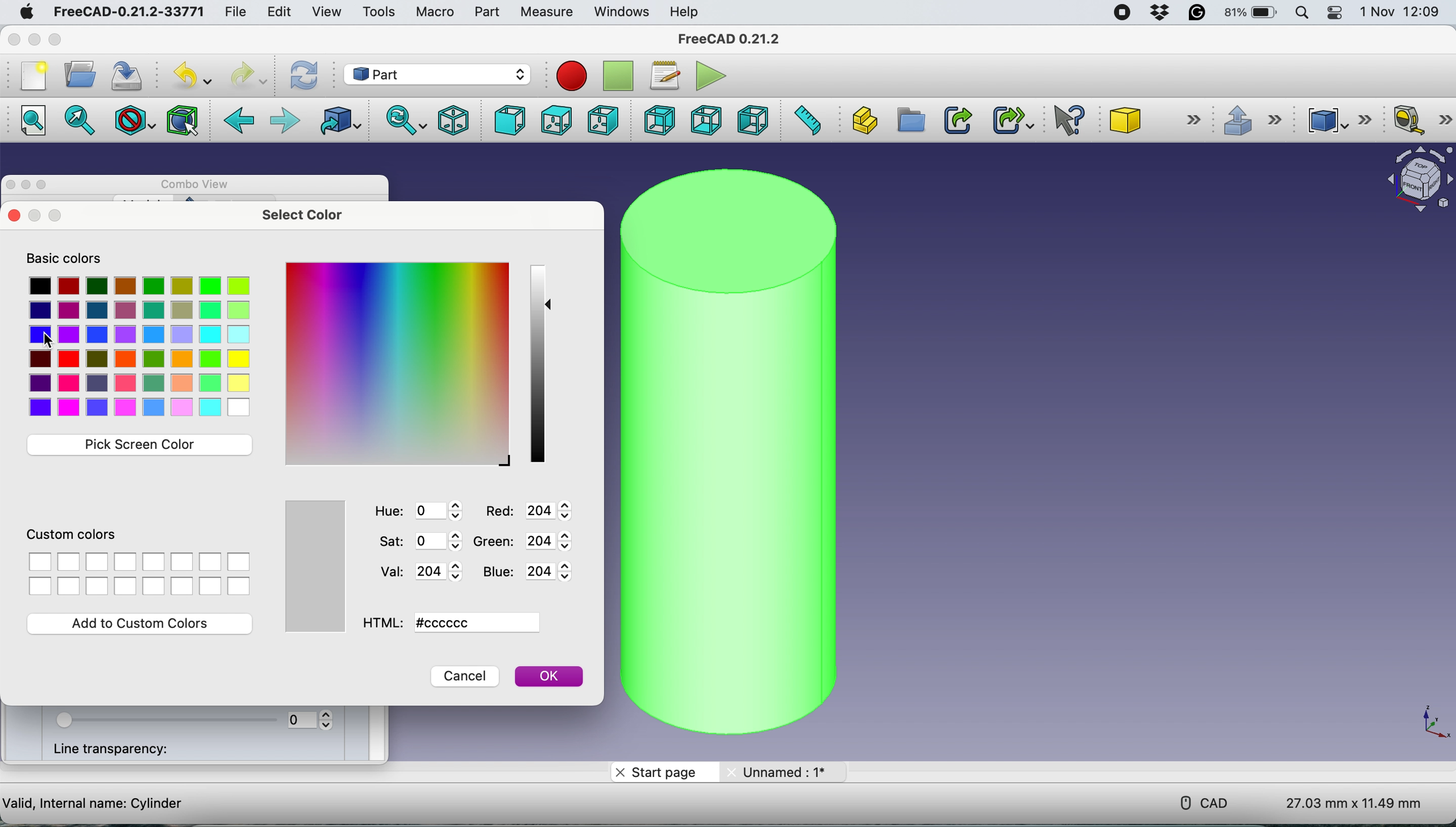 Image resolution: width=1456 pixels, height=827 pixels. I want to click on cad, so click(1204, 801).